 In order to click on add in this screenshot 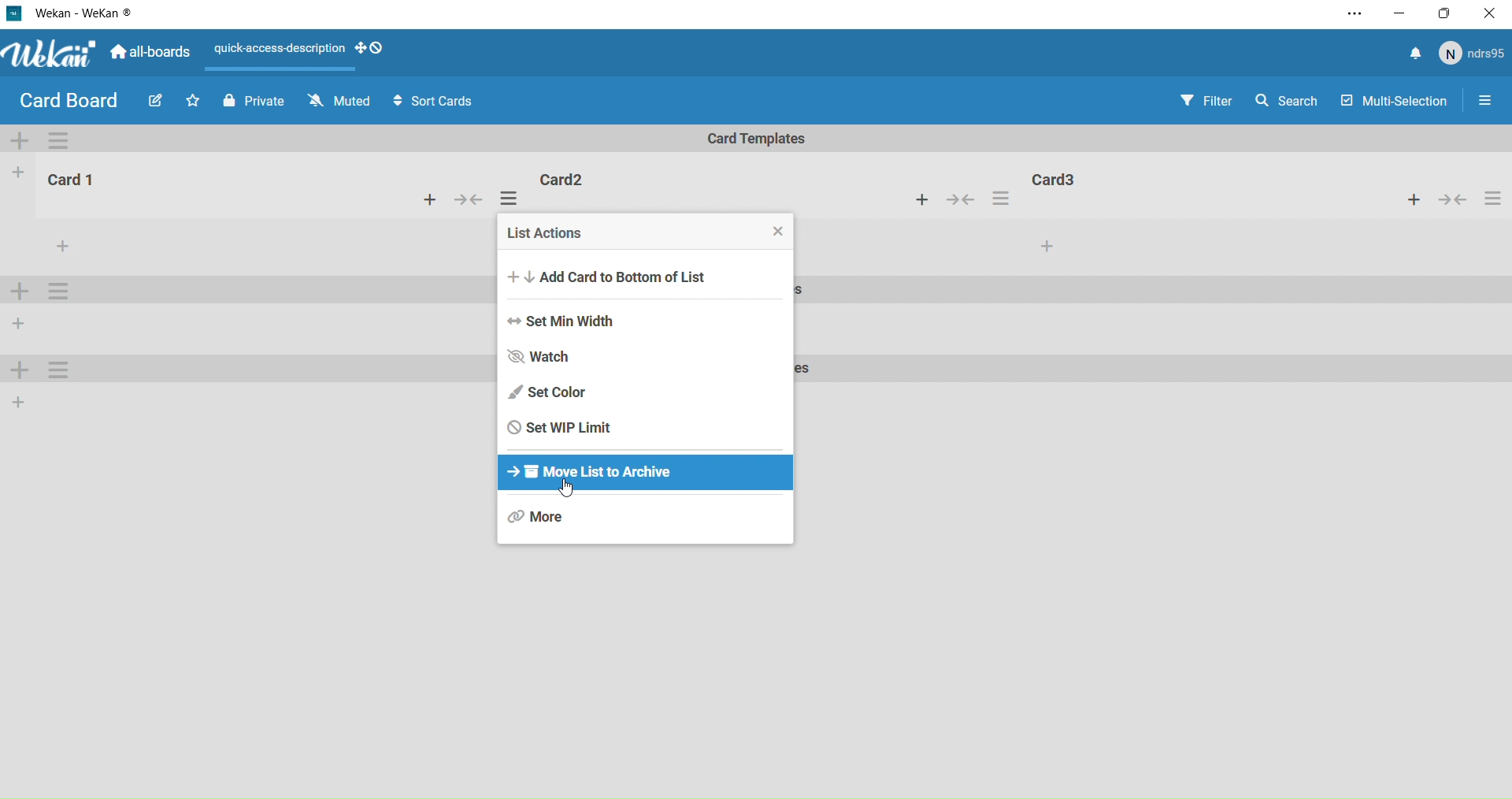, I will do `click(1040, 246)`.